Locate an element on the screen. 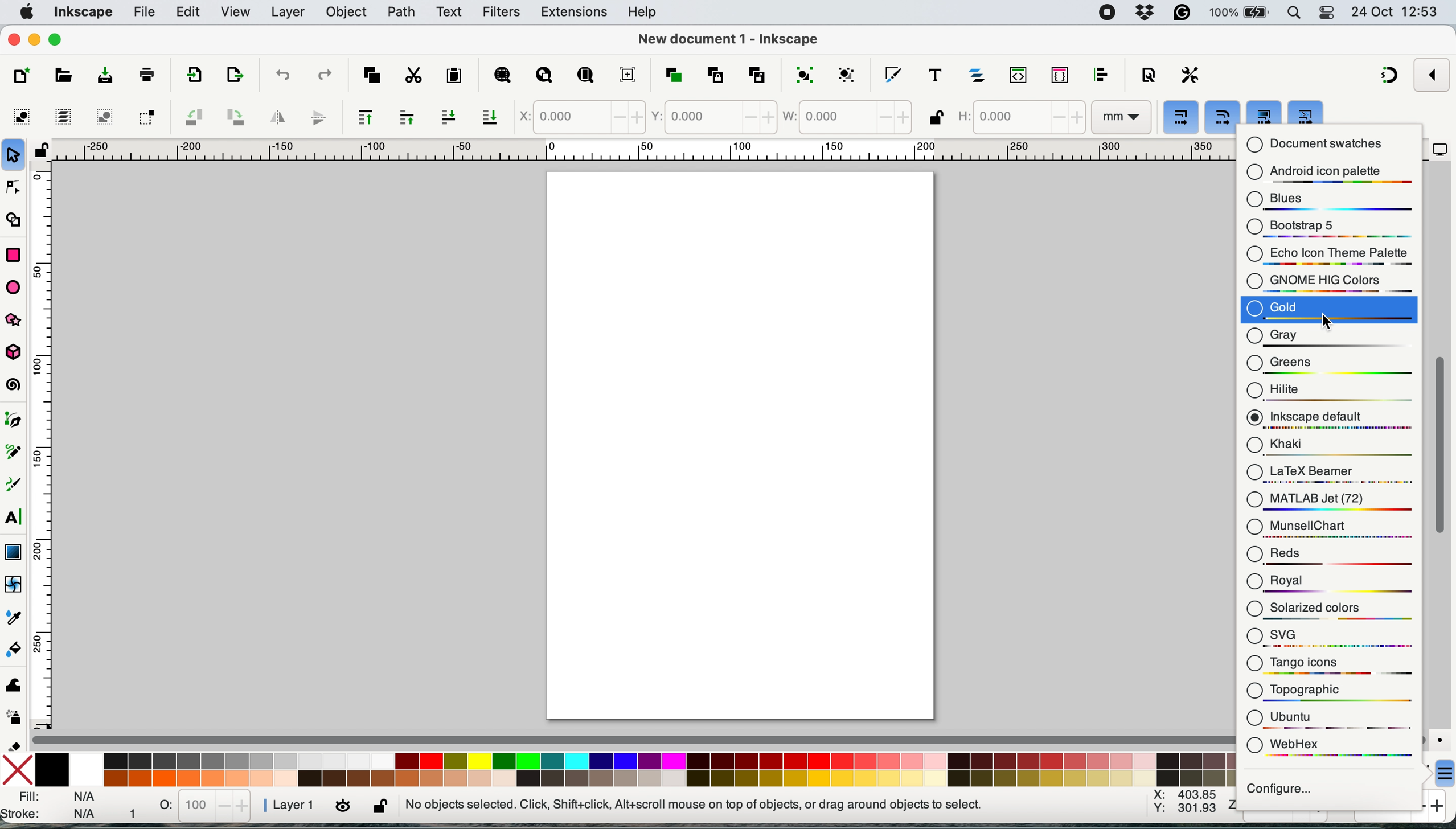 The width and height of the screenshot is (1456, 829). preferences is located at coordinates (1190, 74).